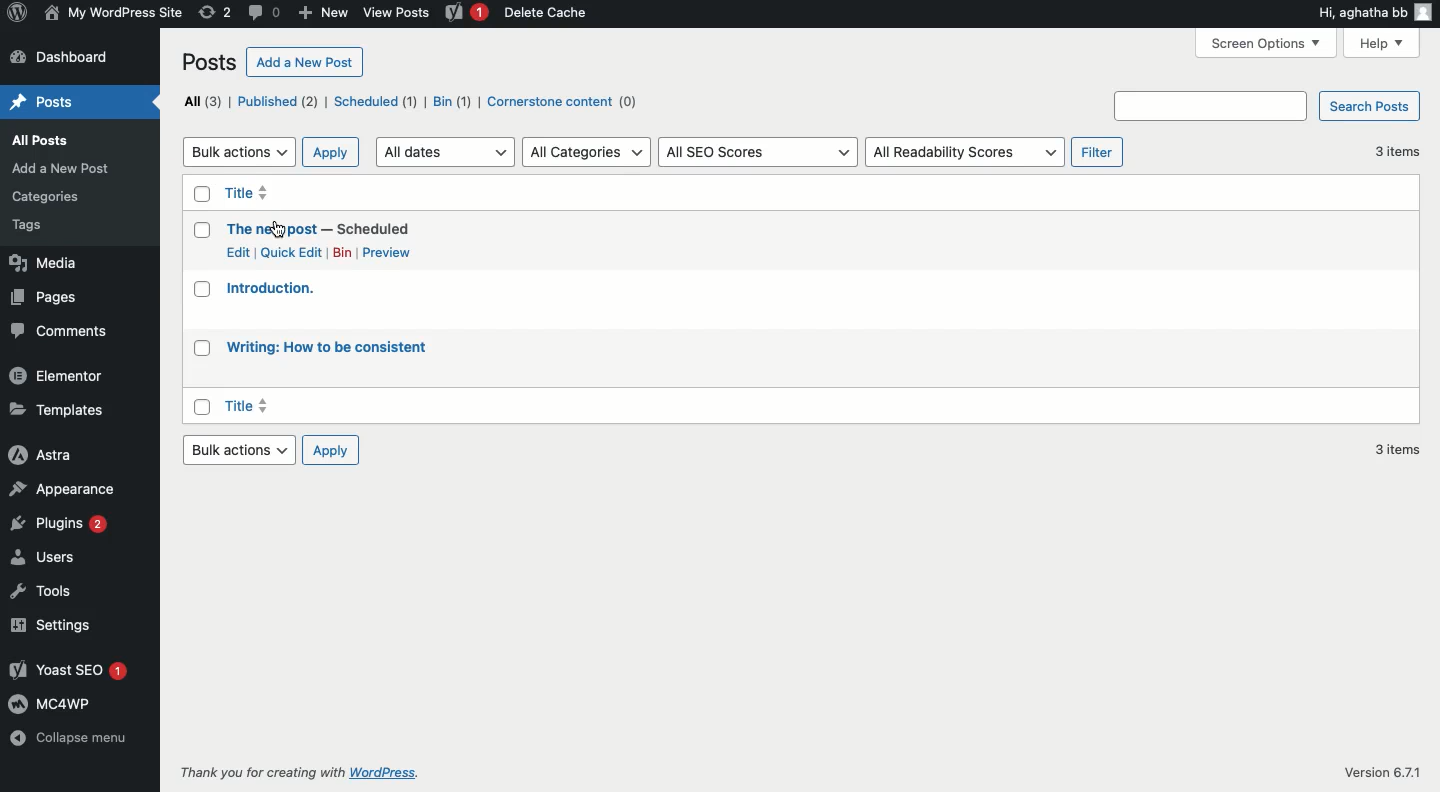  What do you see at coordinates (42, 556) in the screenshot?
I see `Users` at bounding box center [42, 556].